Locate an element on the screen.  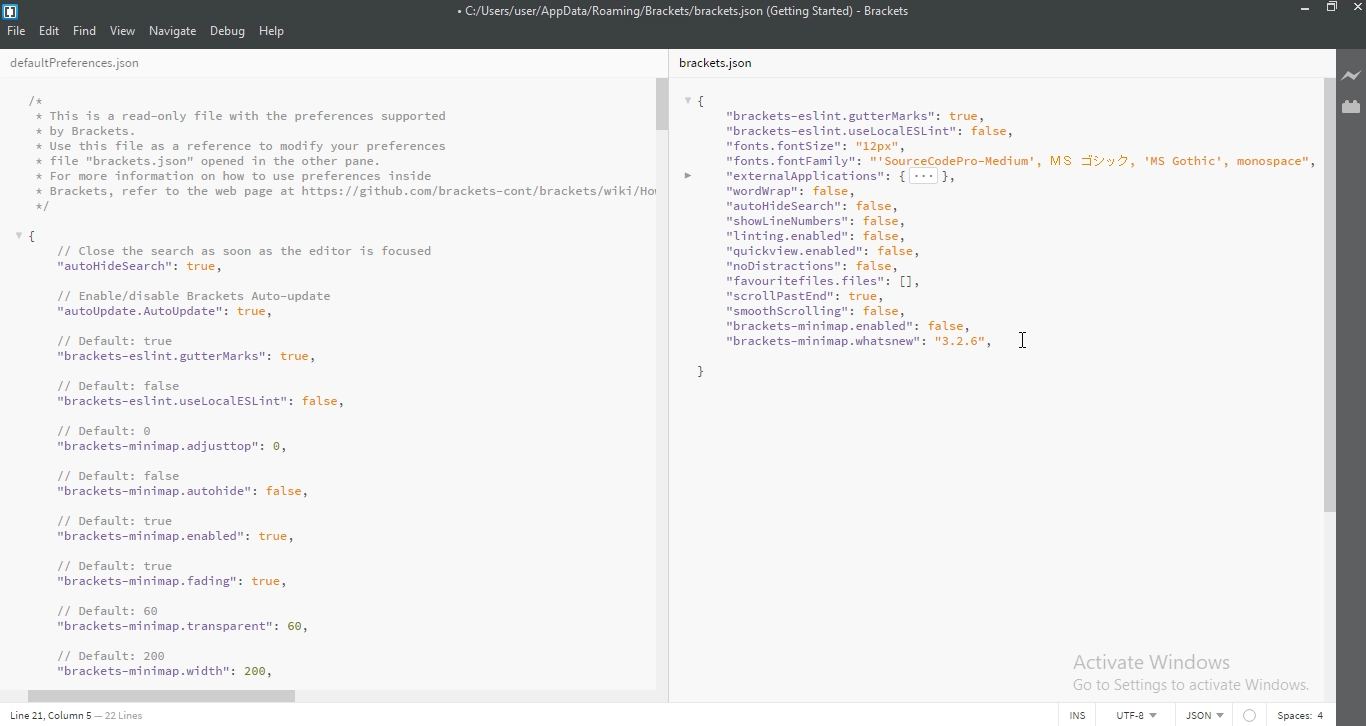
close is located at coordinates (1356, 12).